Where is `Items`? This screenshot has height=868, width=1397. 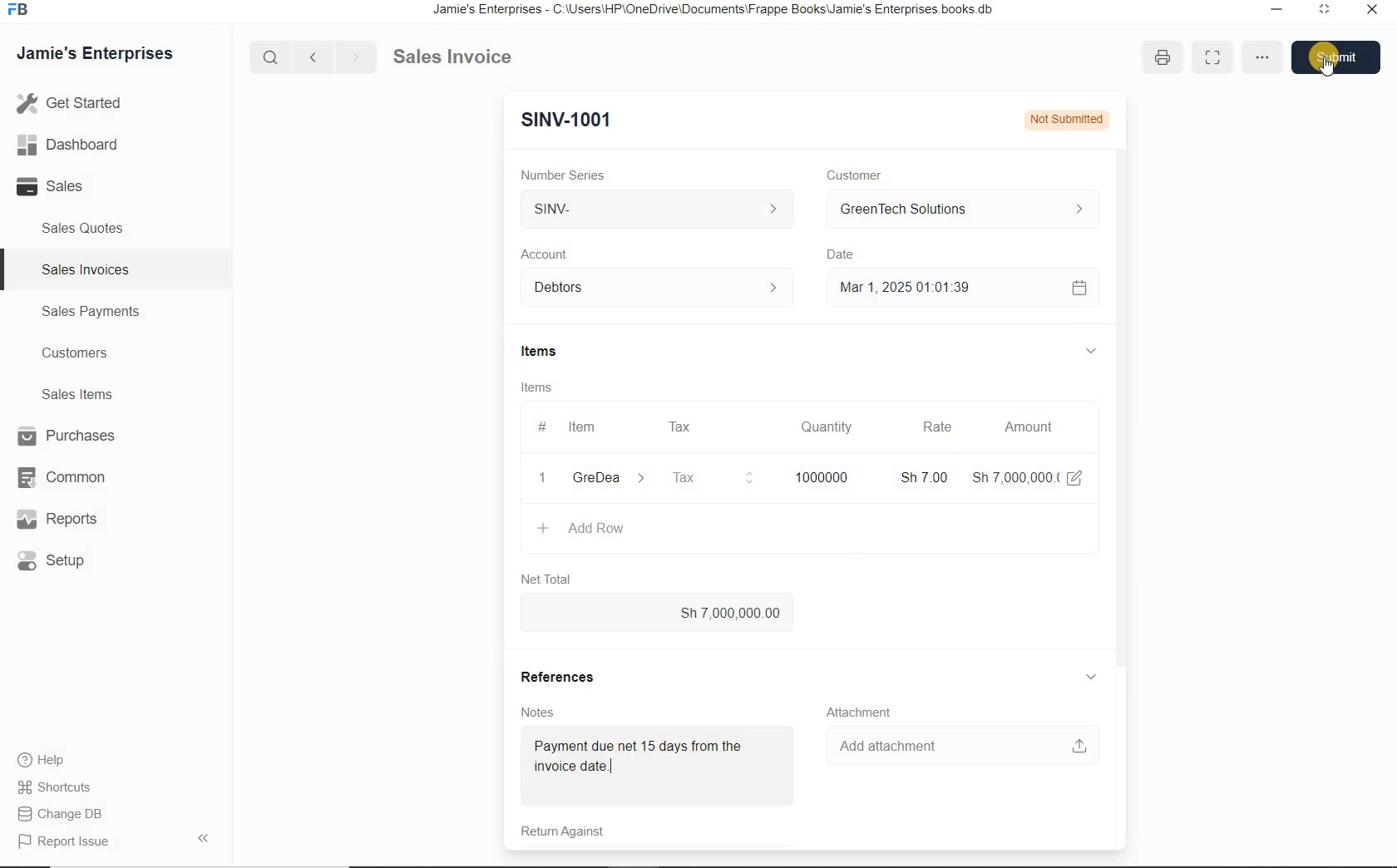 Items is located at coordinates (535, 353).